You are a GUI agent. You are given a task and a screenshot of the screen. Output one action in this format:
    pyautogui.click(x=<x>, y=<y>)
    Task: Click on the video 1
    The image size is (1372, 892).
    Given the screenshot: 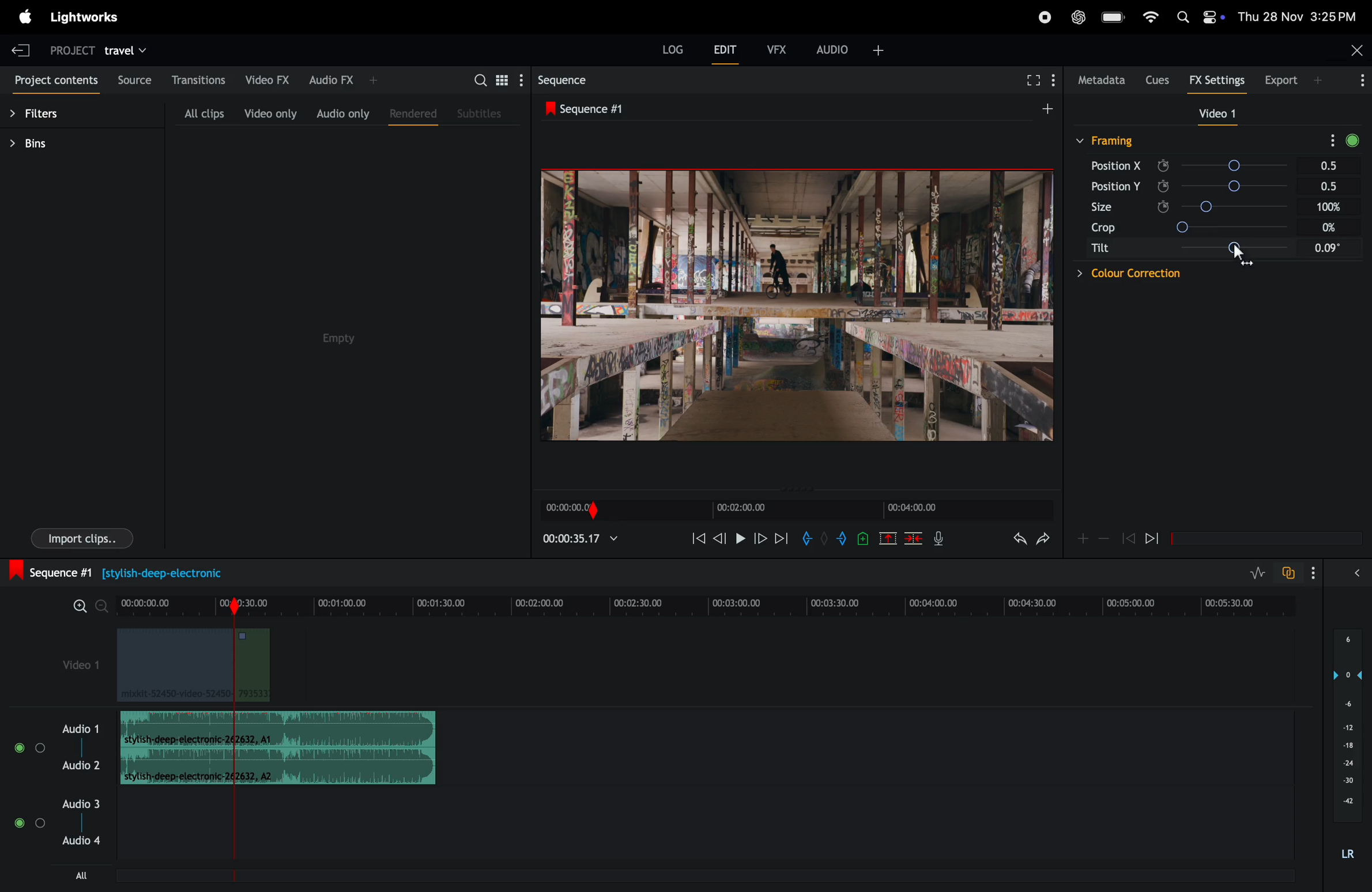 What is the action you would take?
    pyautogui.click(x=1223, y=114)
    